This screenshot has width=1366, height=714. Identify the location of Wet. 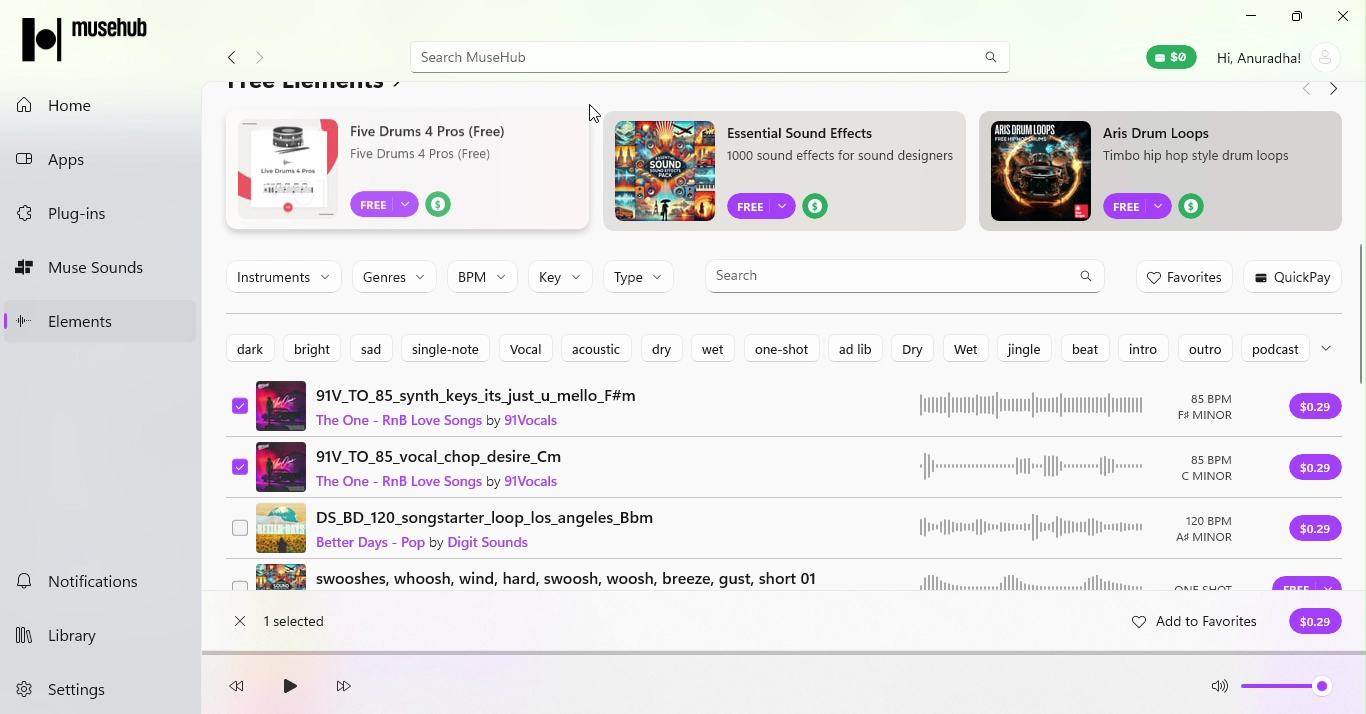
(961, 347).